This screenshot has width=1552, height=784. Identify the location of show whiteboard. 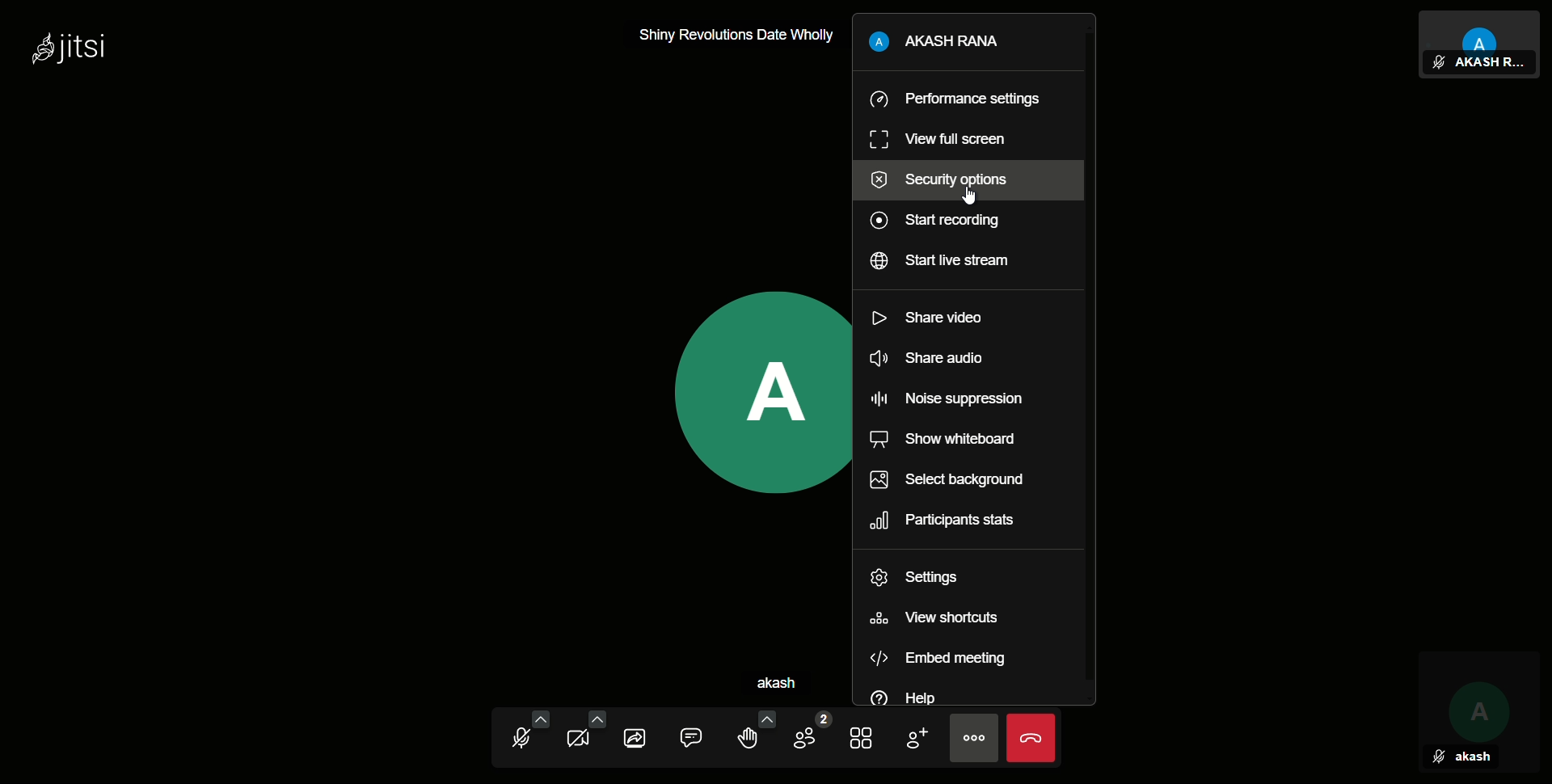
(943, 440).